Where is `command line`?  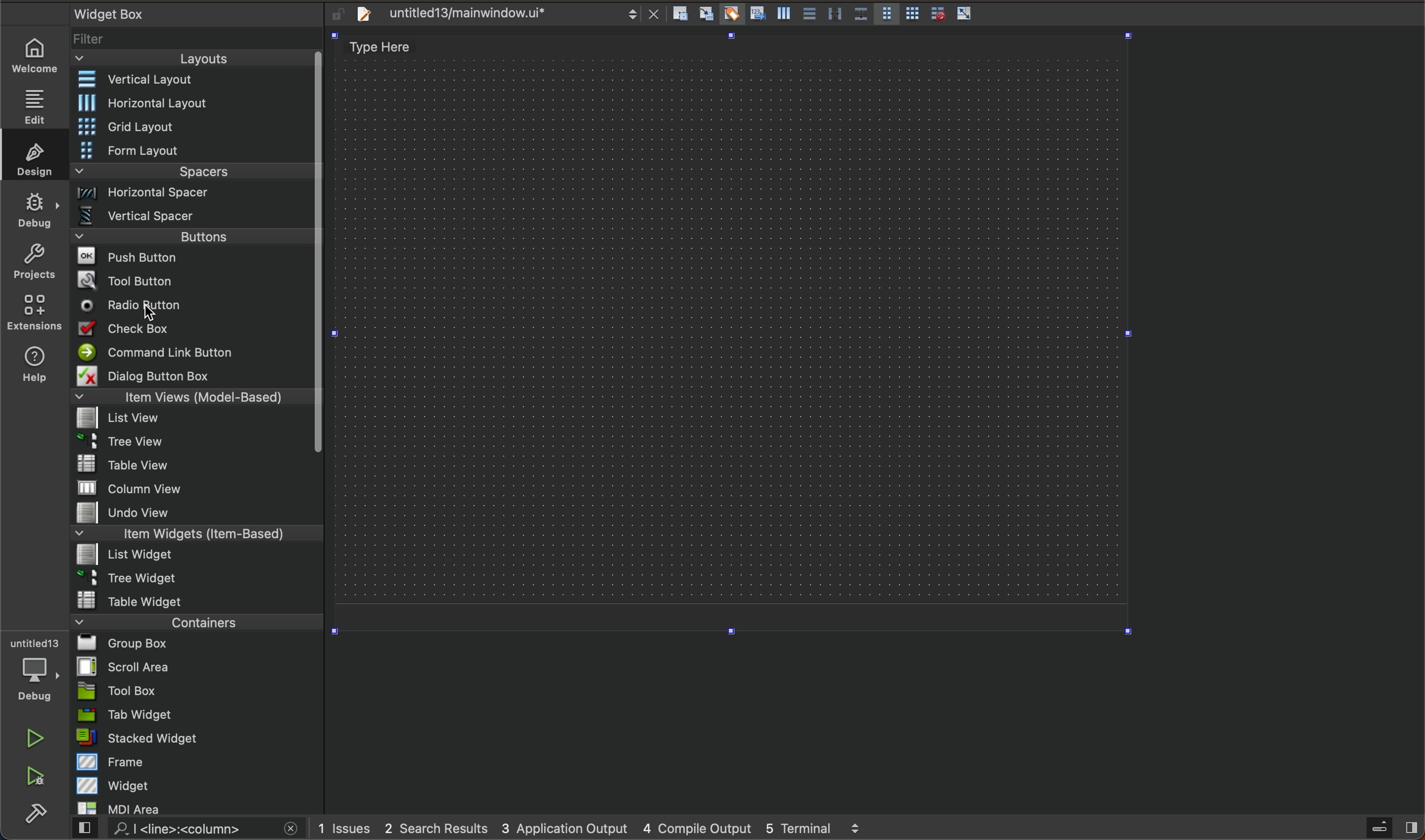
command line is located at coordinates (192, 353).